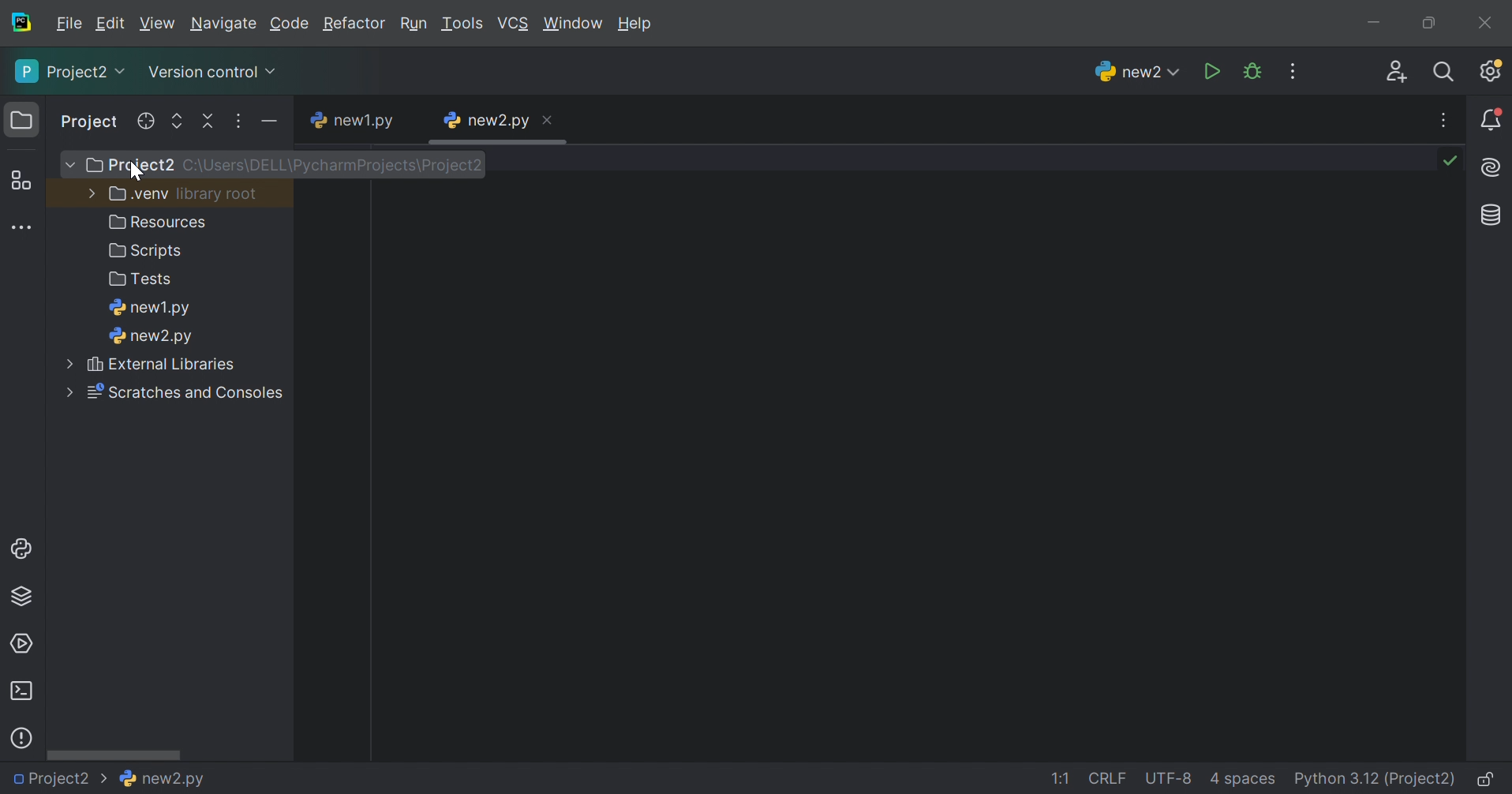  What do you see at coordinates (1493, 169) in the screenshot?
I see `AI Assistant` at bounding box center [1493, 169].